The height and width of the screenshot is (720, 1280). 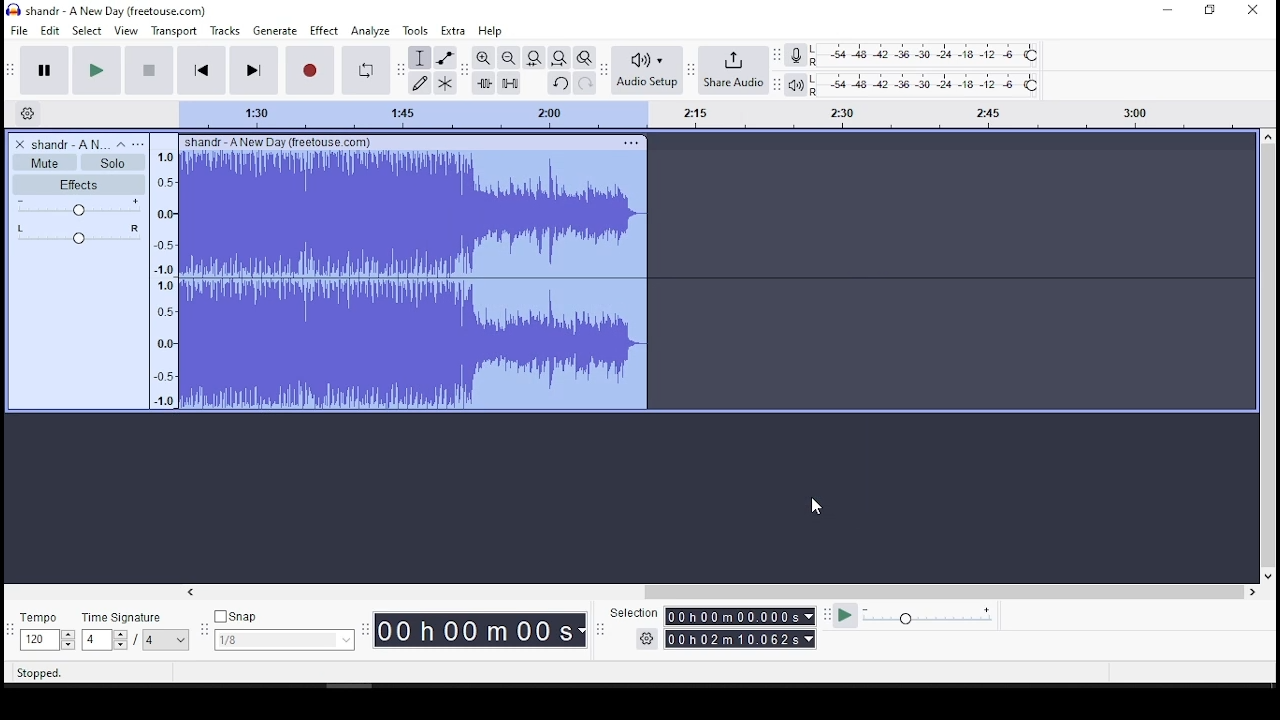 What do you see at coordinates (225, 31) in the screenshot?
I see `tracks` at bounding box center [225, 31].